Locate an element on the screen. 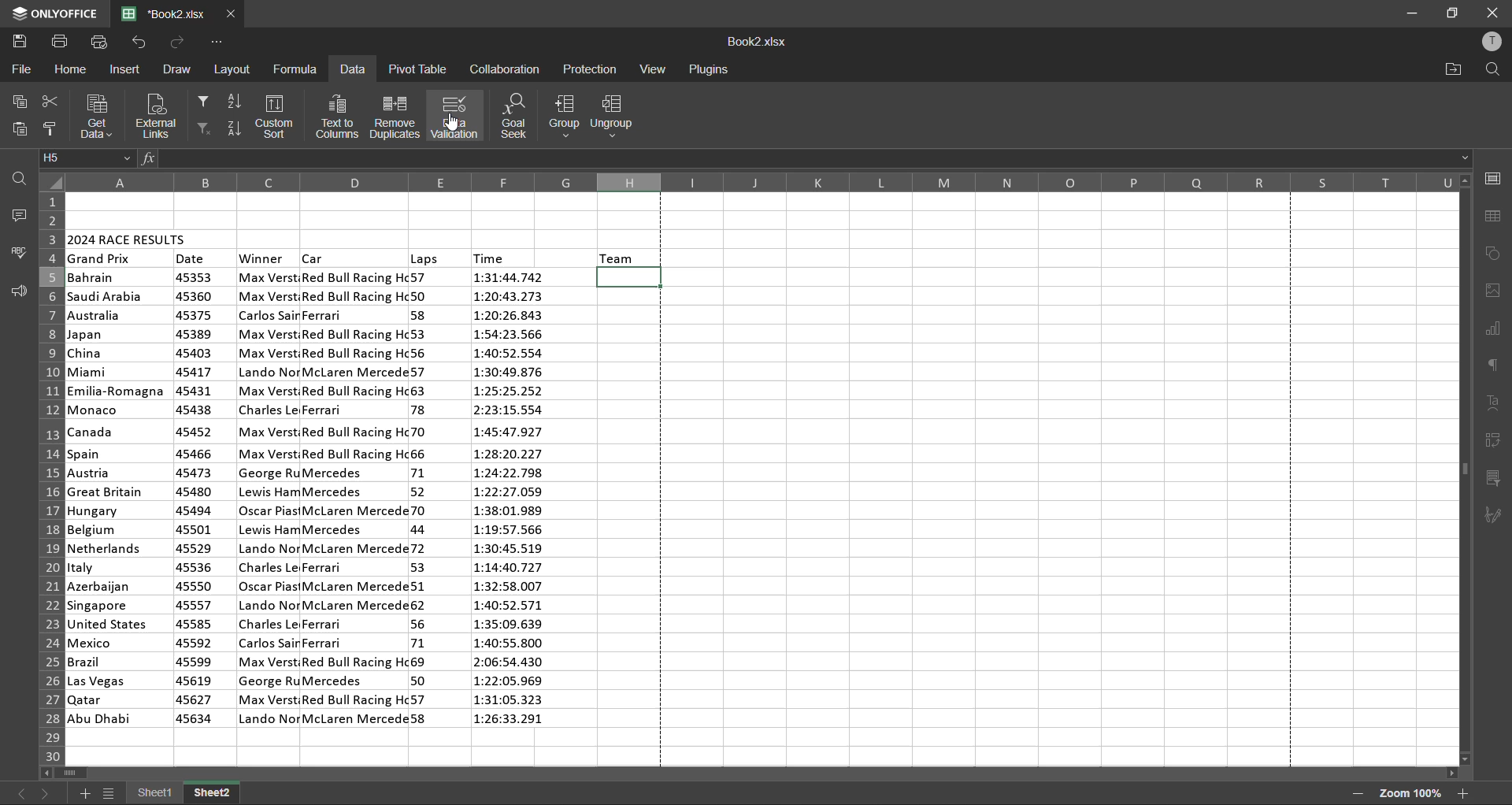 This screenshot has width=1512, height=805. custom sort is located at coordinates (278, 117).